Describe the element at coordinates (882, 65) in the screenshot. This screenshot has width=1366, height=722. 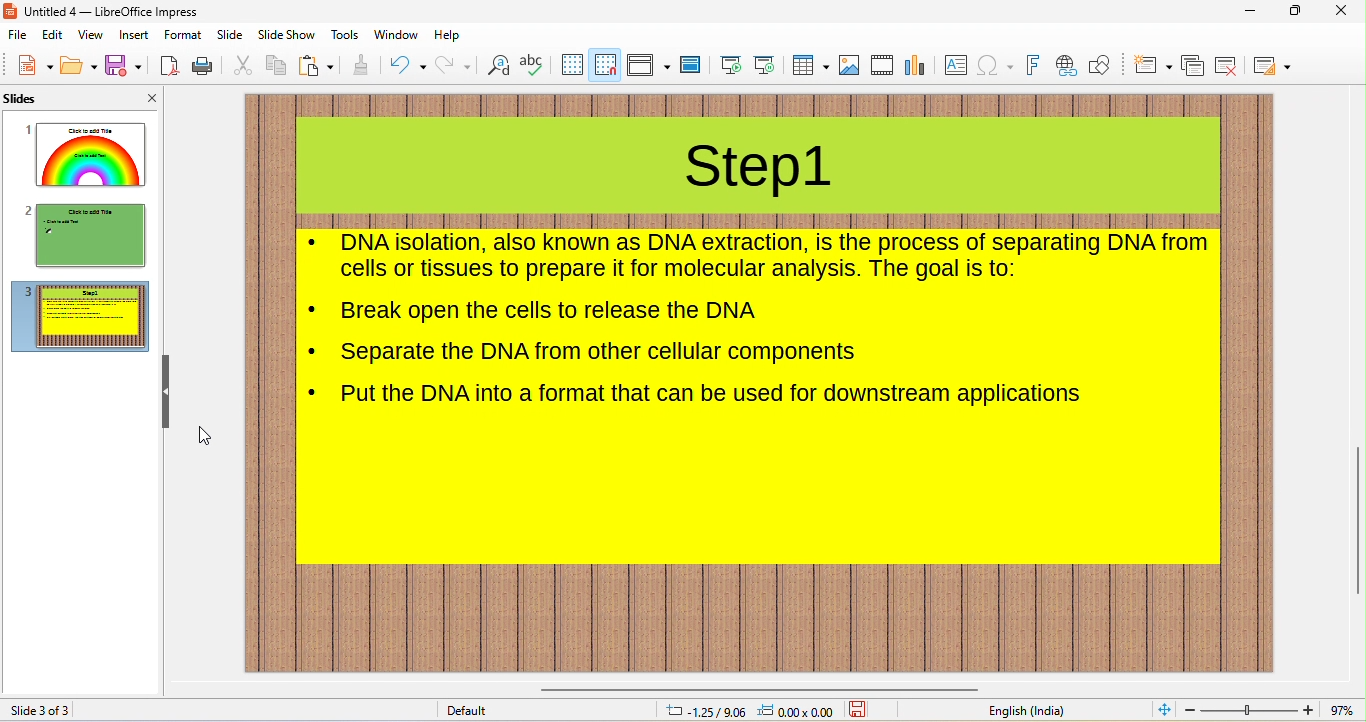
I see `media` at that location.